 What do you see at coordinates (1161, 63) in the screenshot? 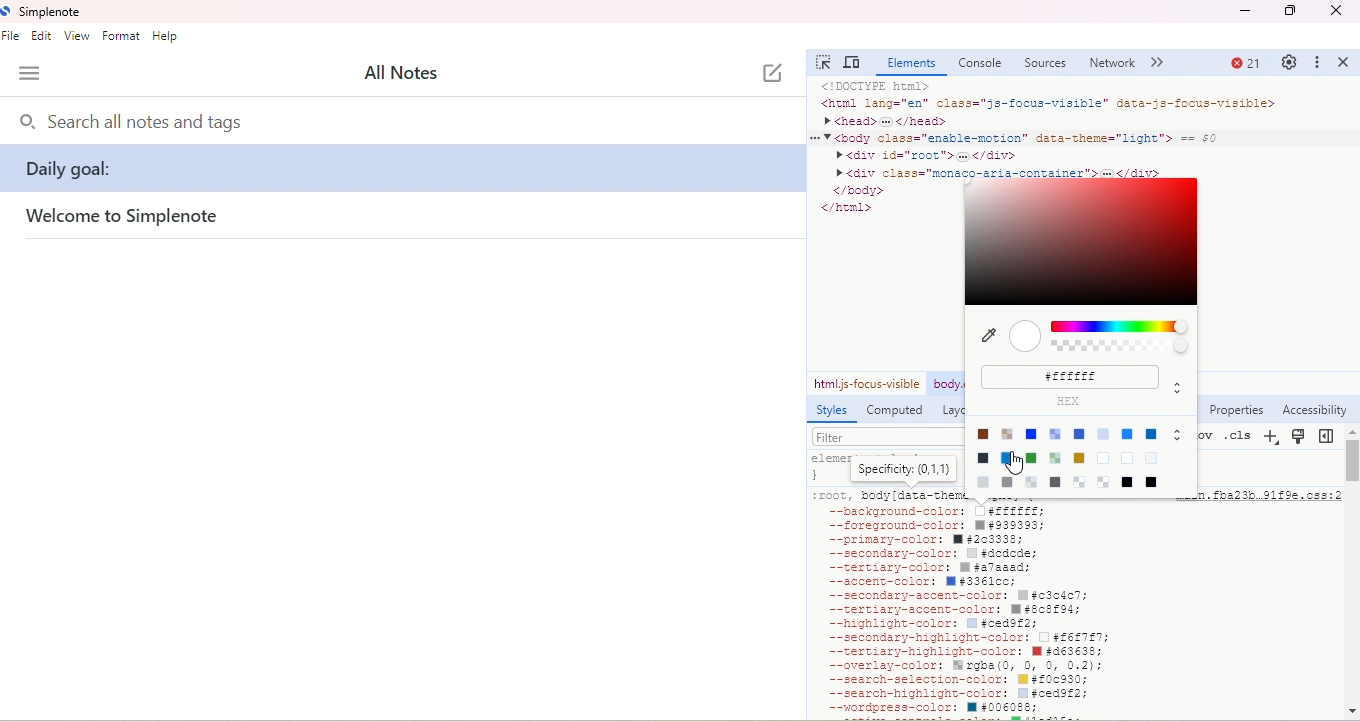
I see `more tabs` at bounding box center [1161, 63].